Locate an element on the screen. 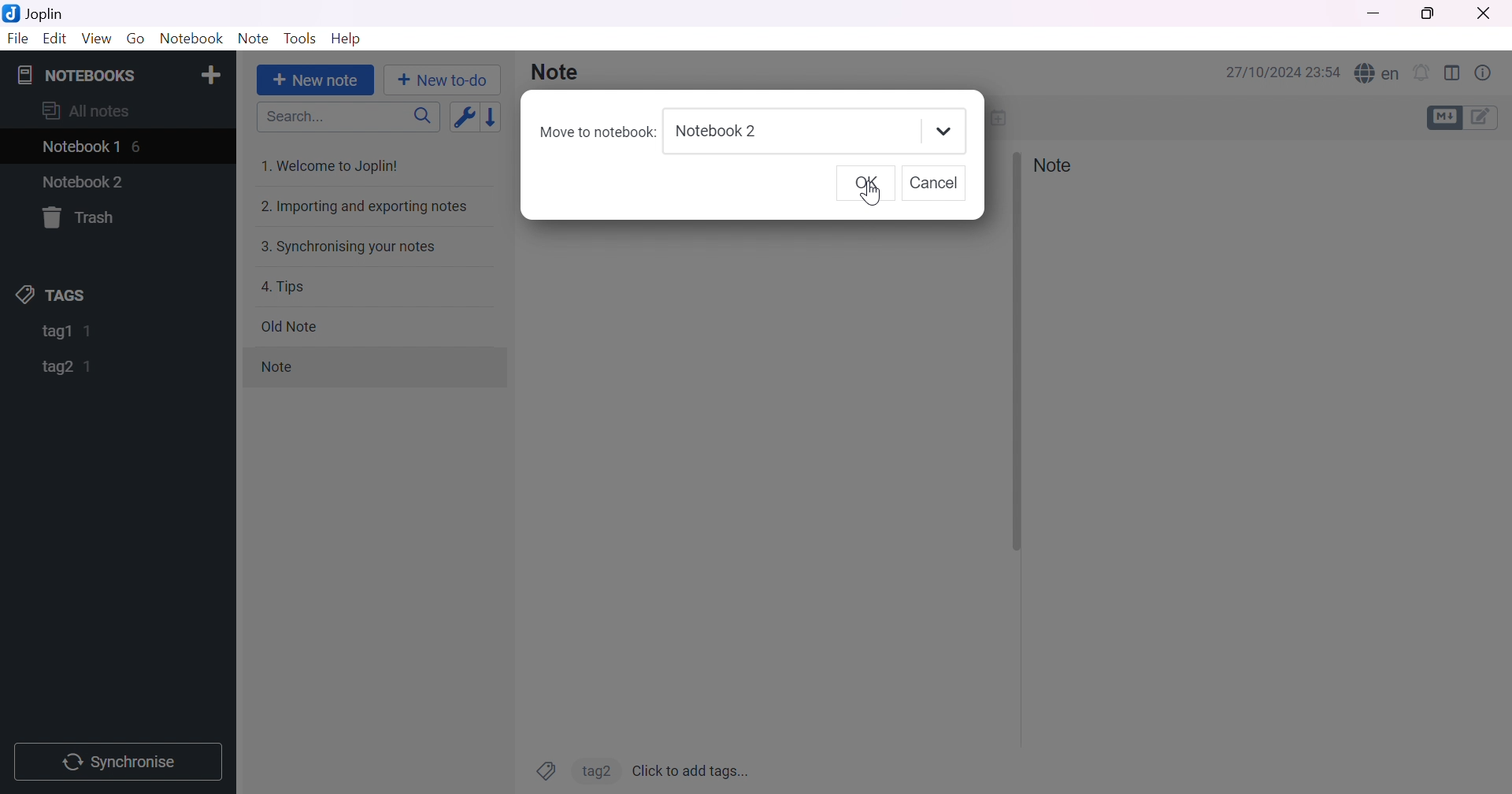   is located at coordinates (935, 184).